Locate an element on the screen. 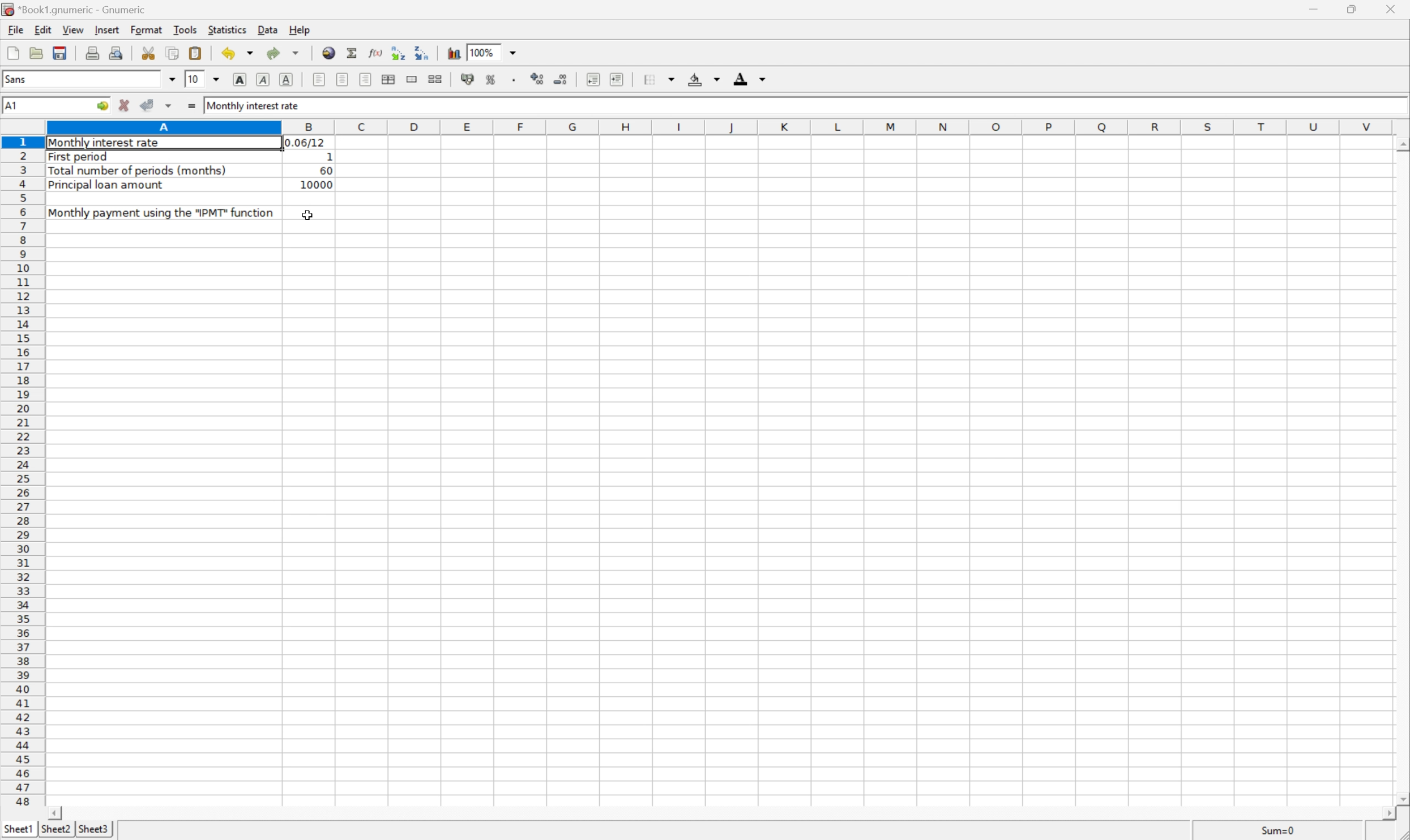  Row Numbers is located at coordinates (23, 474).